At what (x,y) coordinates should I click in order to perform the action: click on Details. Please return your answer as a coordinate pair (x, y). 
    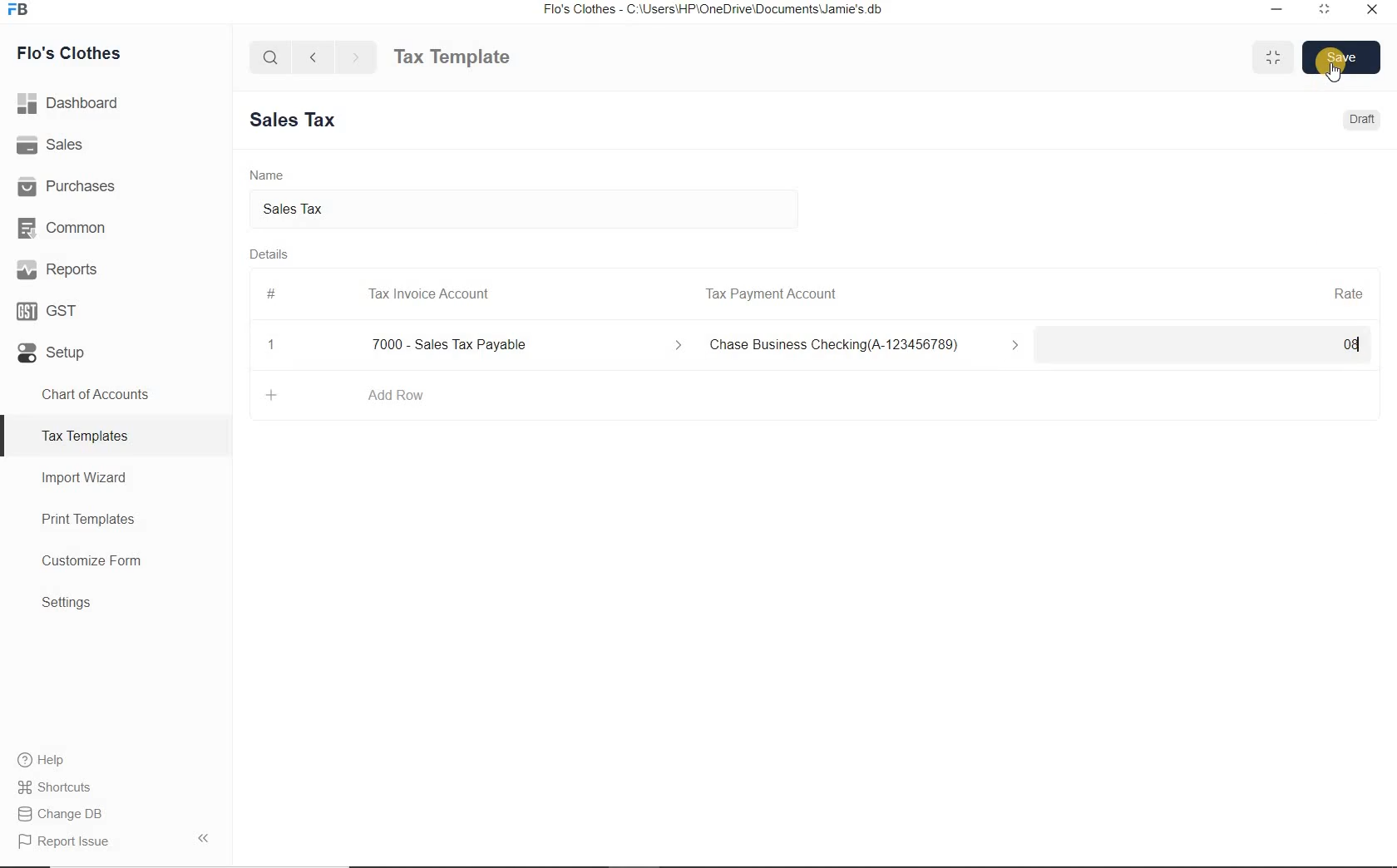
    Looking at the image, I should click on (269, 254).